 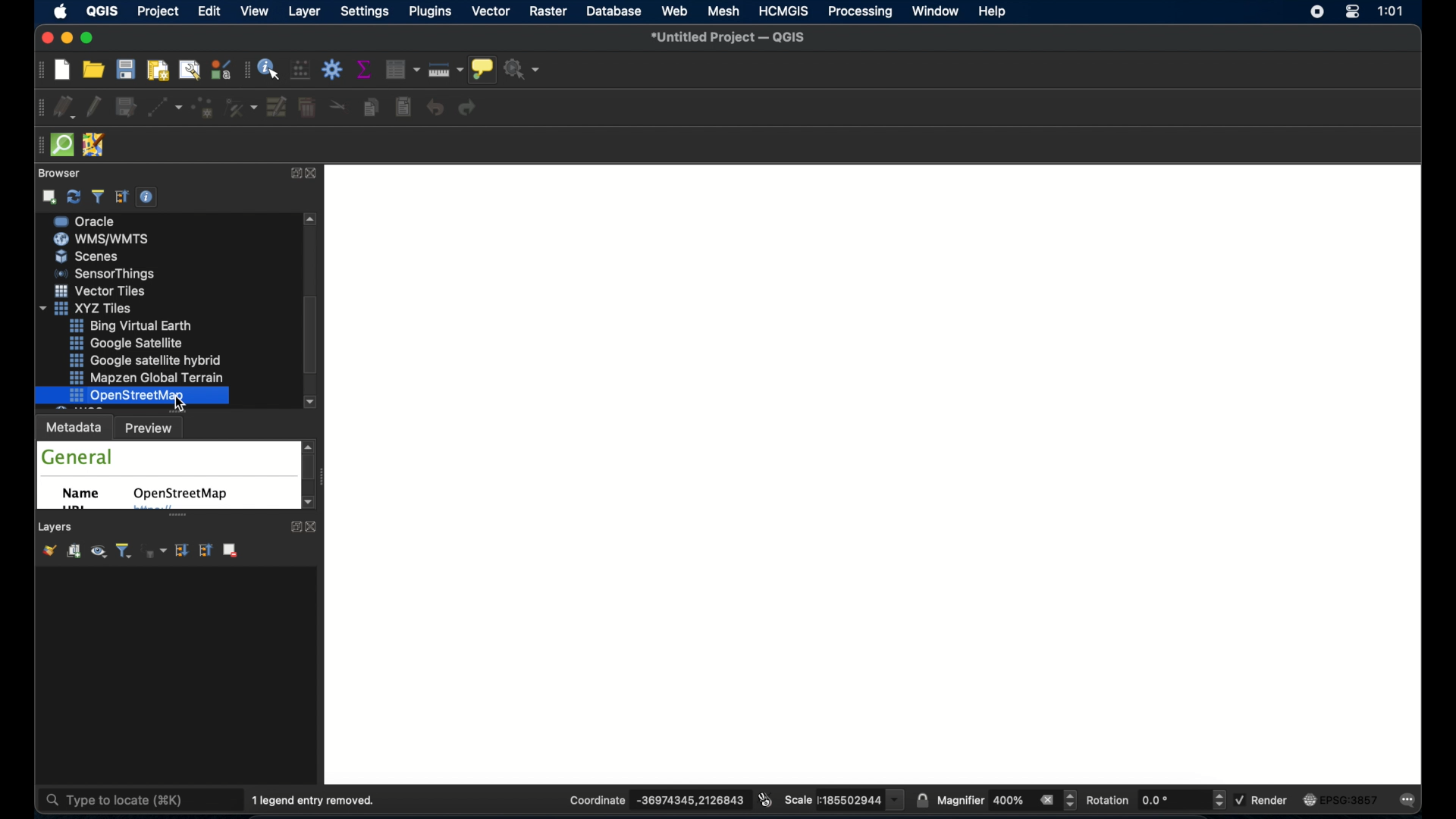 What do you see at coordinates (313, 174) in the screenshot?
I see `close` at bounding box center [313, 174].